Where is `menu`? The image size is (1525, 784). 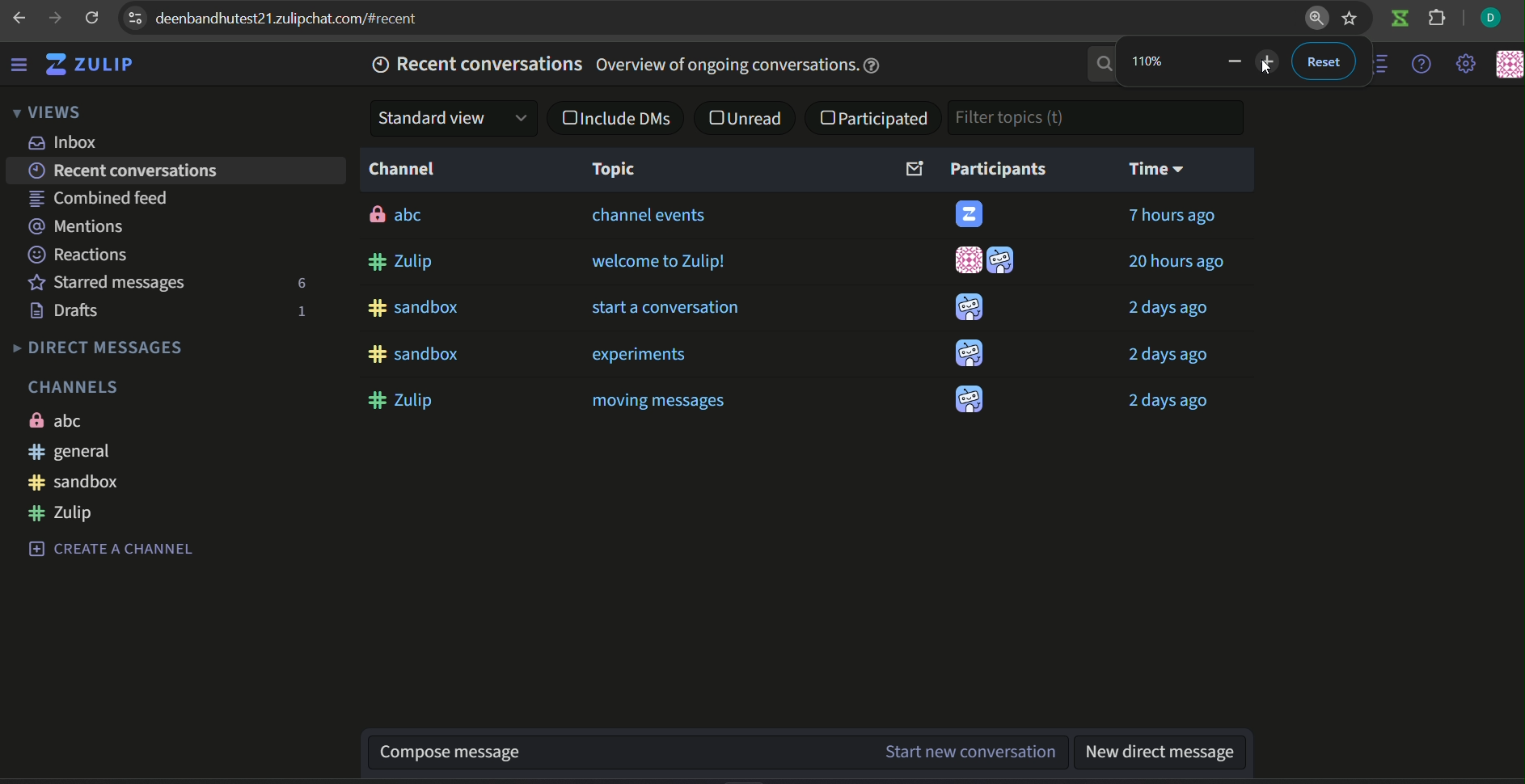 menu is located at coordinates (21, 67).